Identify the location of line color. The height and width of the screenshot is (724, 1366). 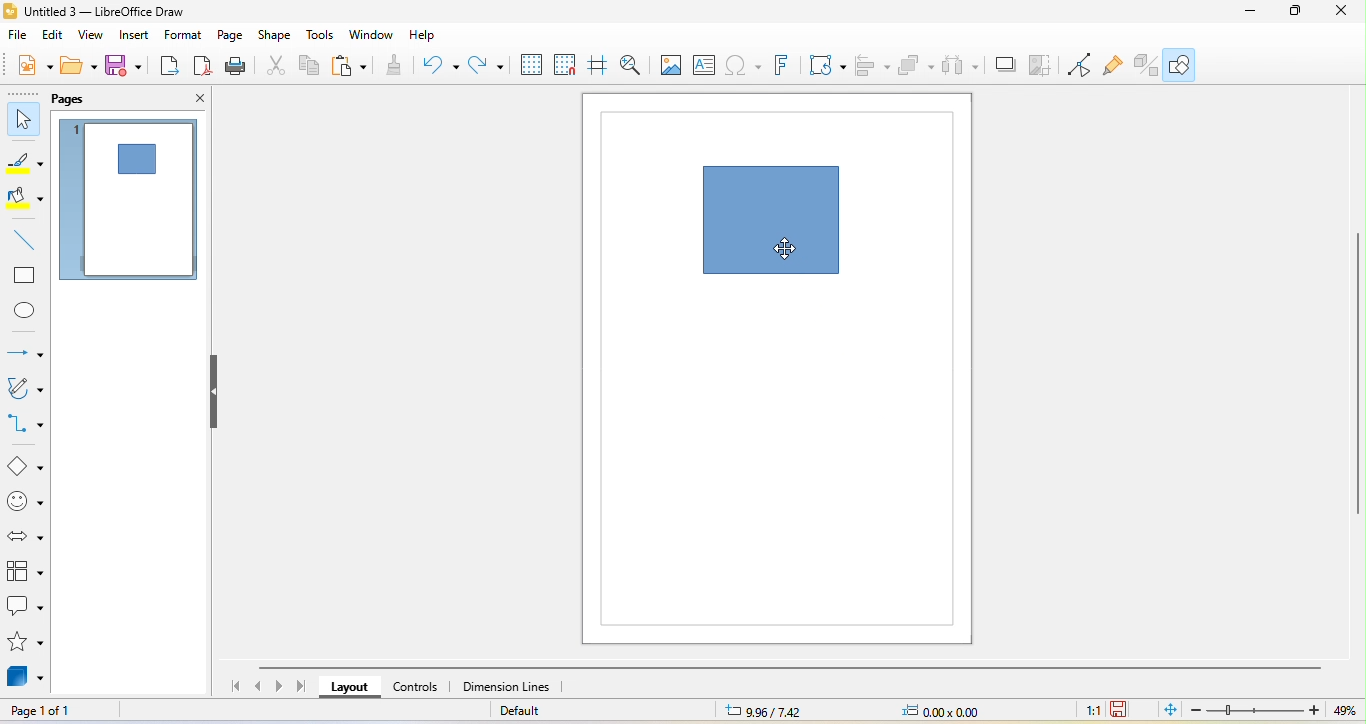
(24, 164).